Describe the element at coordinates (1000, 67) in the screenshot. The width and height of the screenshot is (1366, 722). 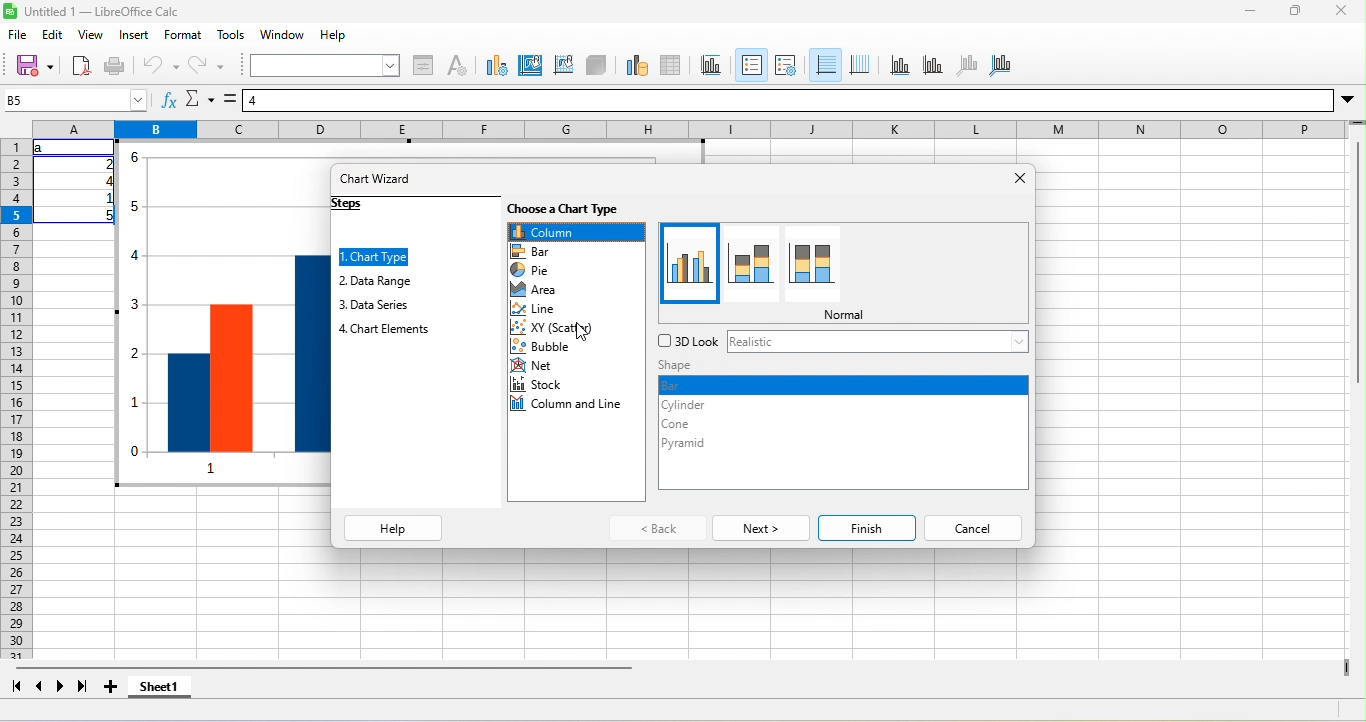
I see `all axes` at that location.